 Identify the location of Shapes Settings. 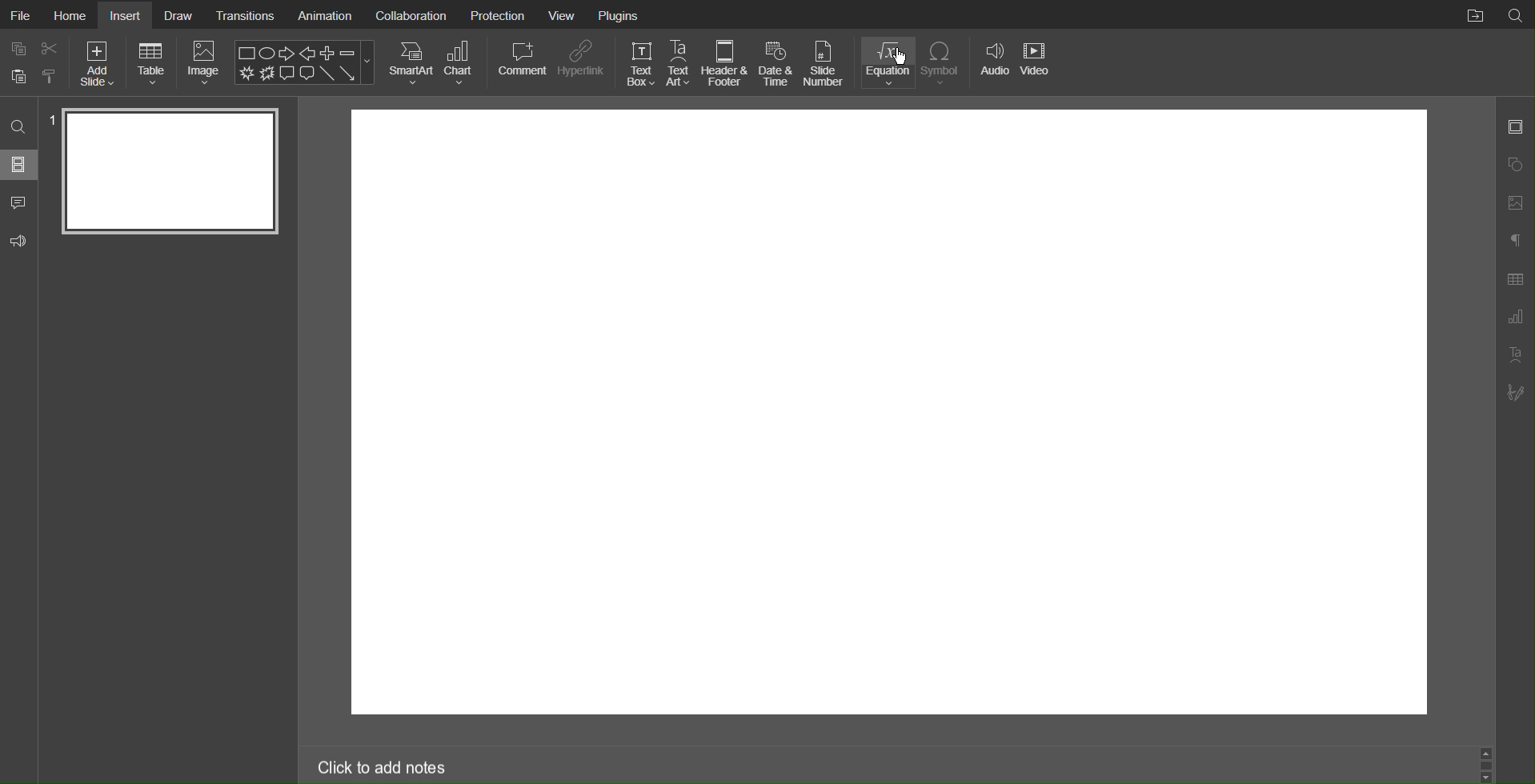
(1514, 166).